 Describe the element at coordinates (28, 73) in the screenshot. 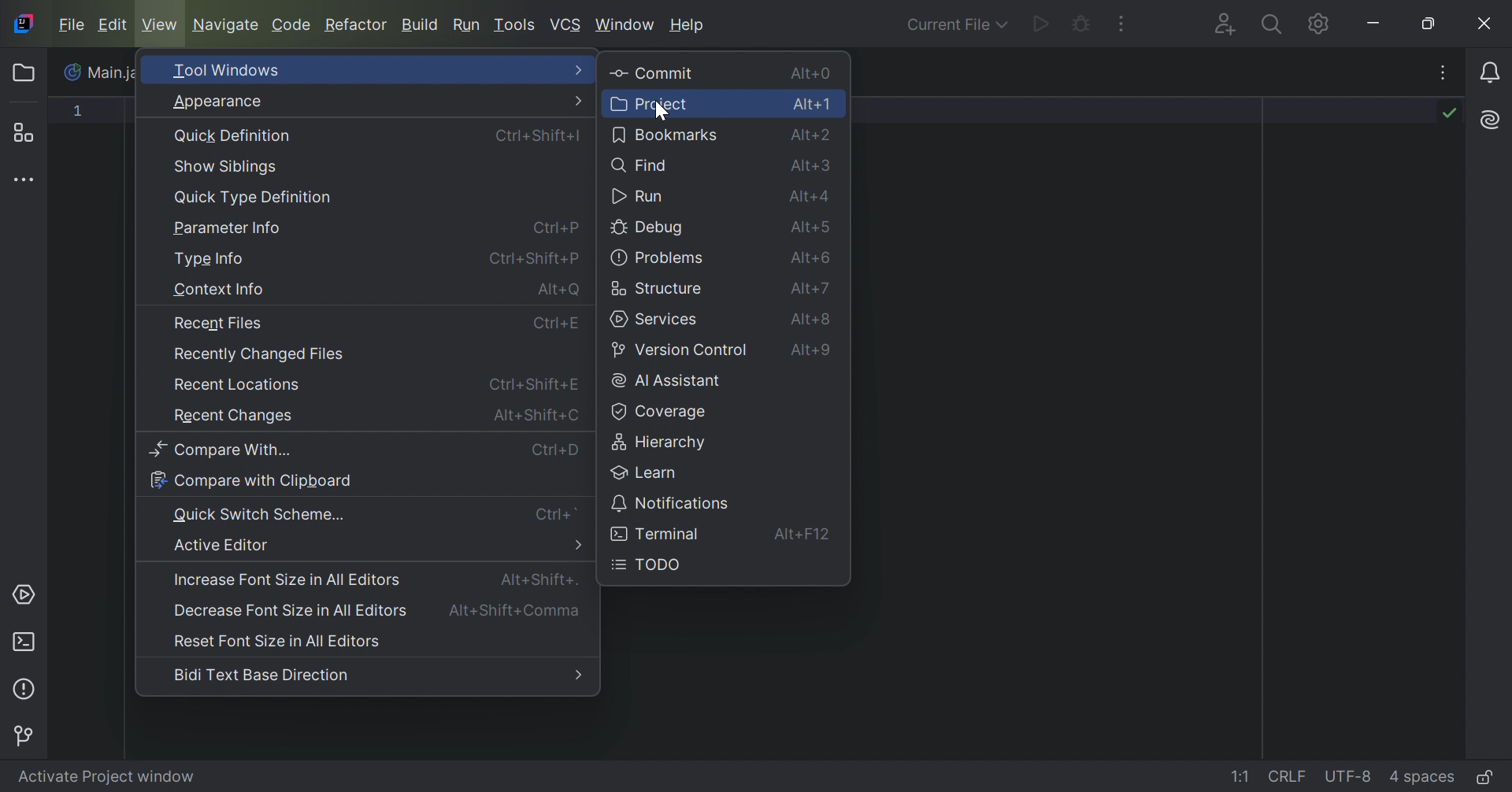

I see `Project` at that location.